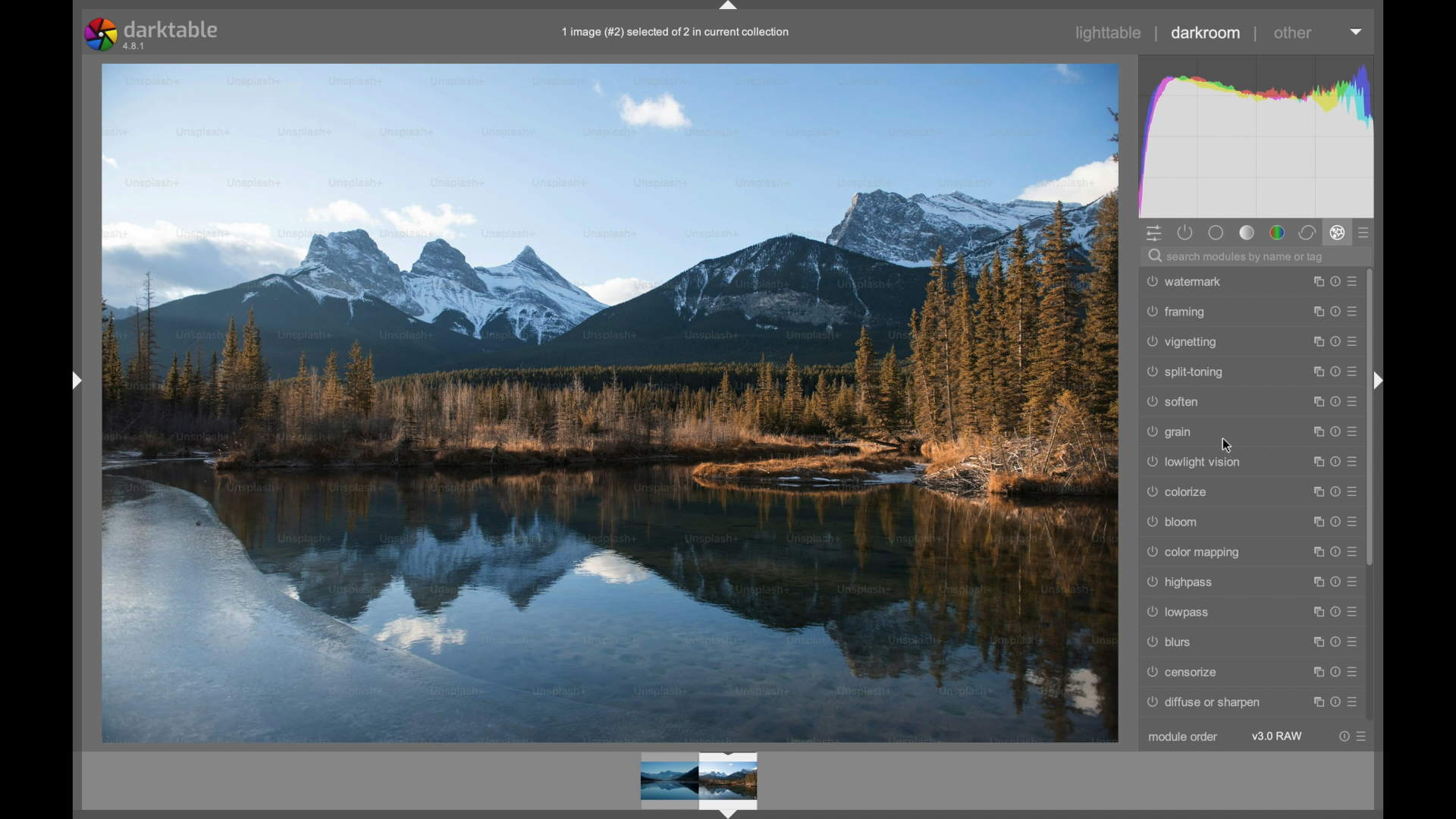  Describe the element at coordinates (1356, 582) in the screenshot. I see `presets` at that location.